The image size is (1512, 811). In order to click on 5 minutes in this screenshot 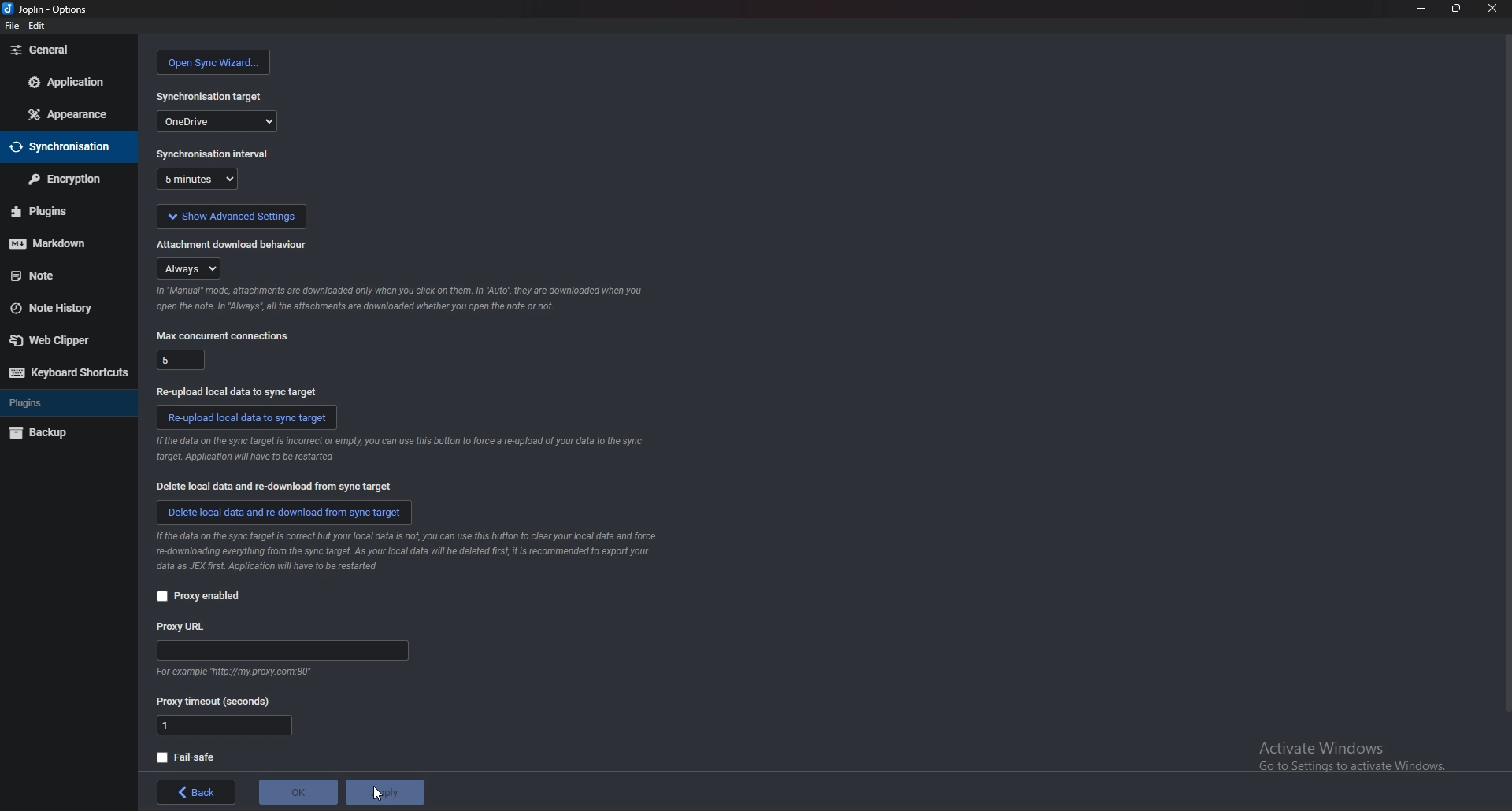, I will do `click(196, 179)`.